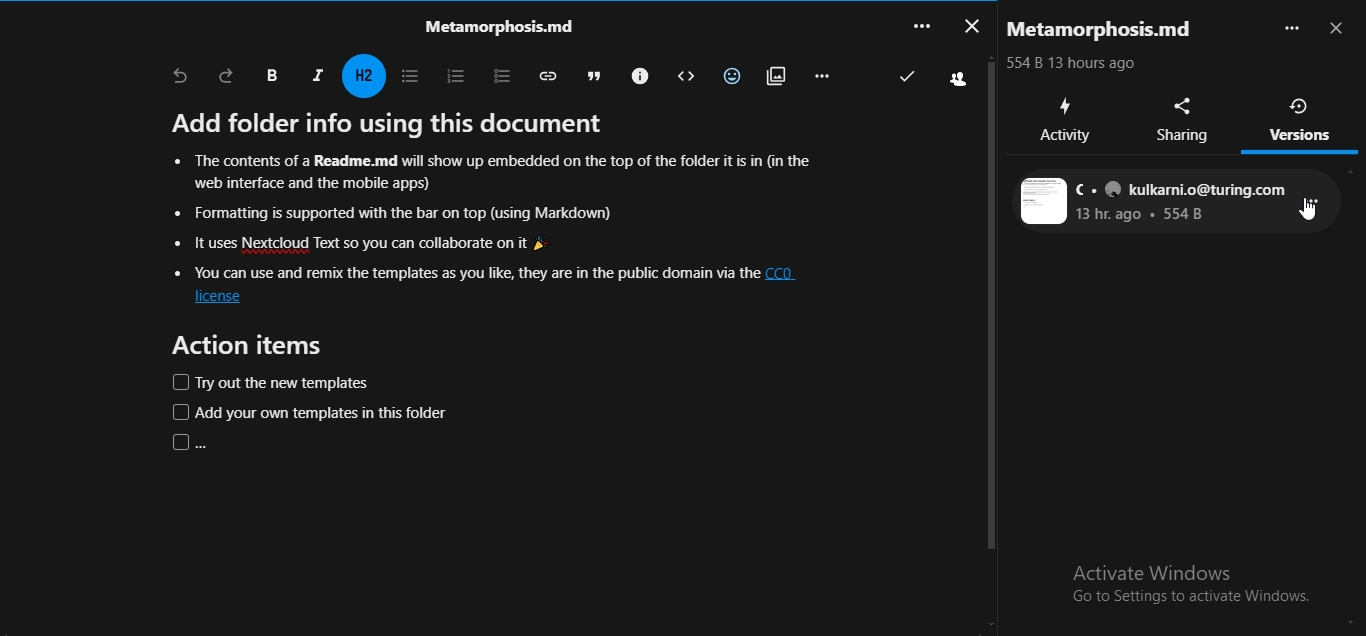 The width and height of the screenshot is (1366, 636). I want to click on more options, so click(1291, 28).